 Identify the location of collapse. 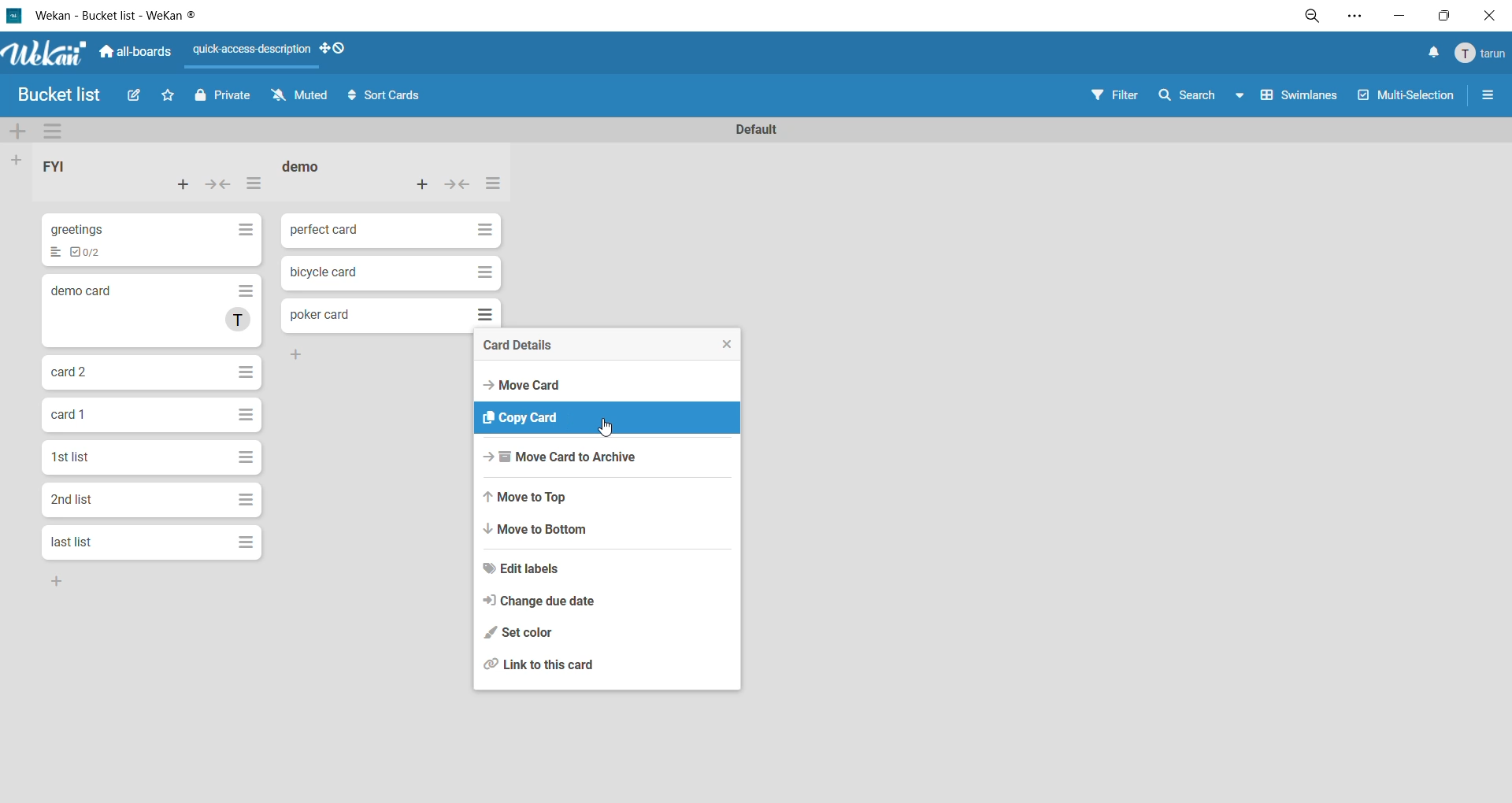
(458, 187).